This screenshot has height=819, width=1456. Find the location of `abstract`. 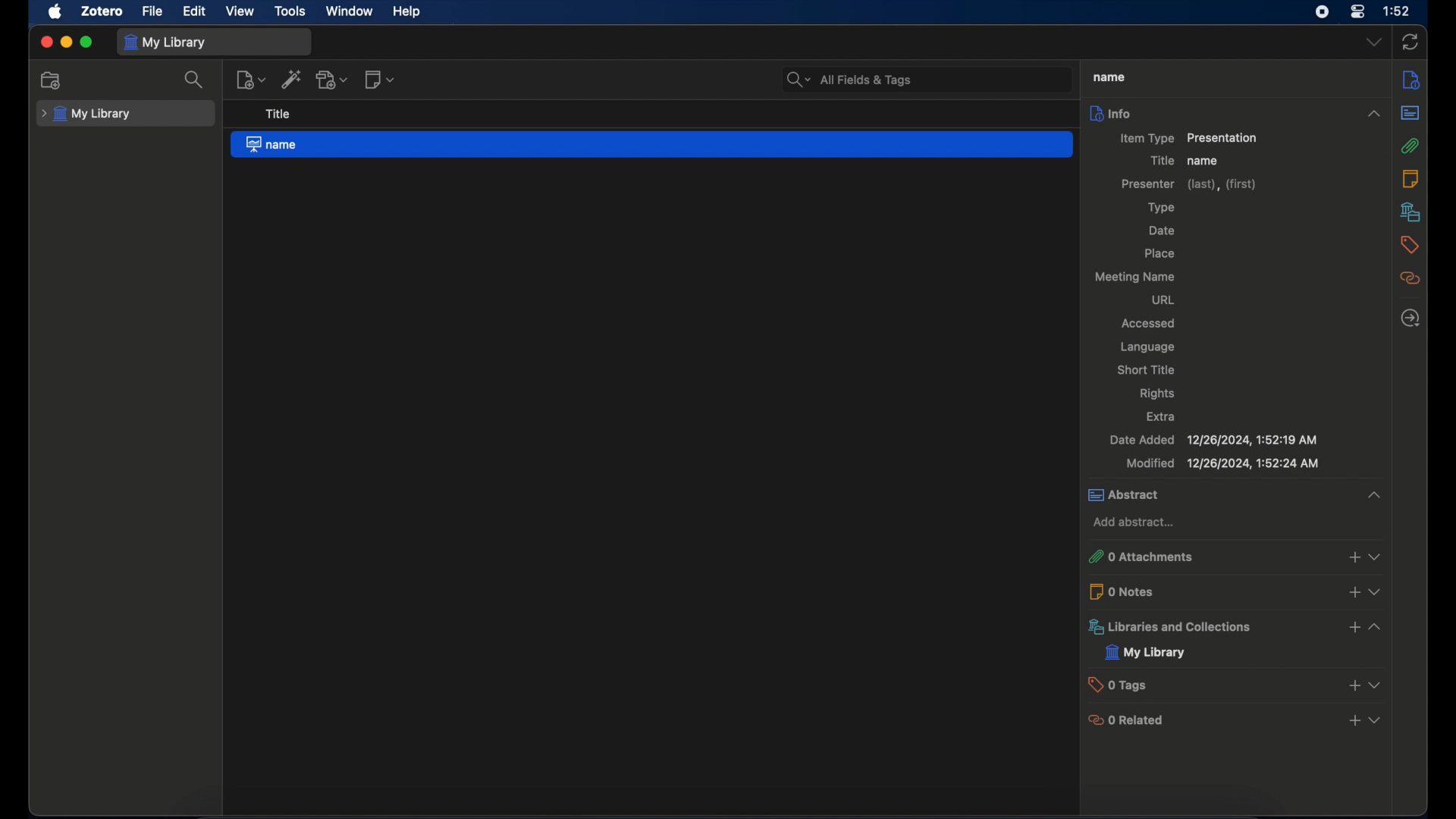

abstract is located at coordinates (1410, 112).